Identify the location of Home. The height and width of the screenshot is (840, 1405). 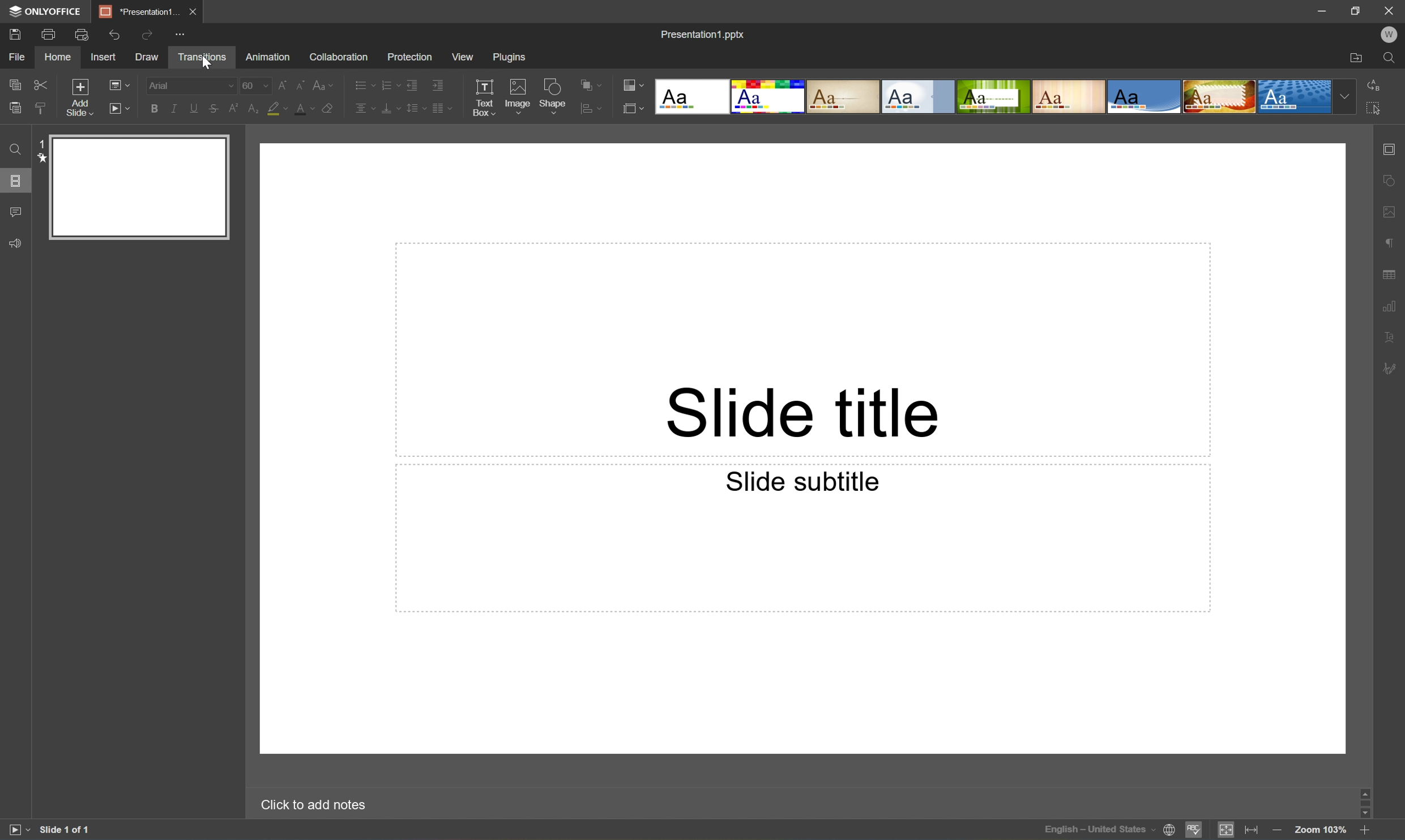
(60, 58).